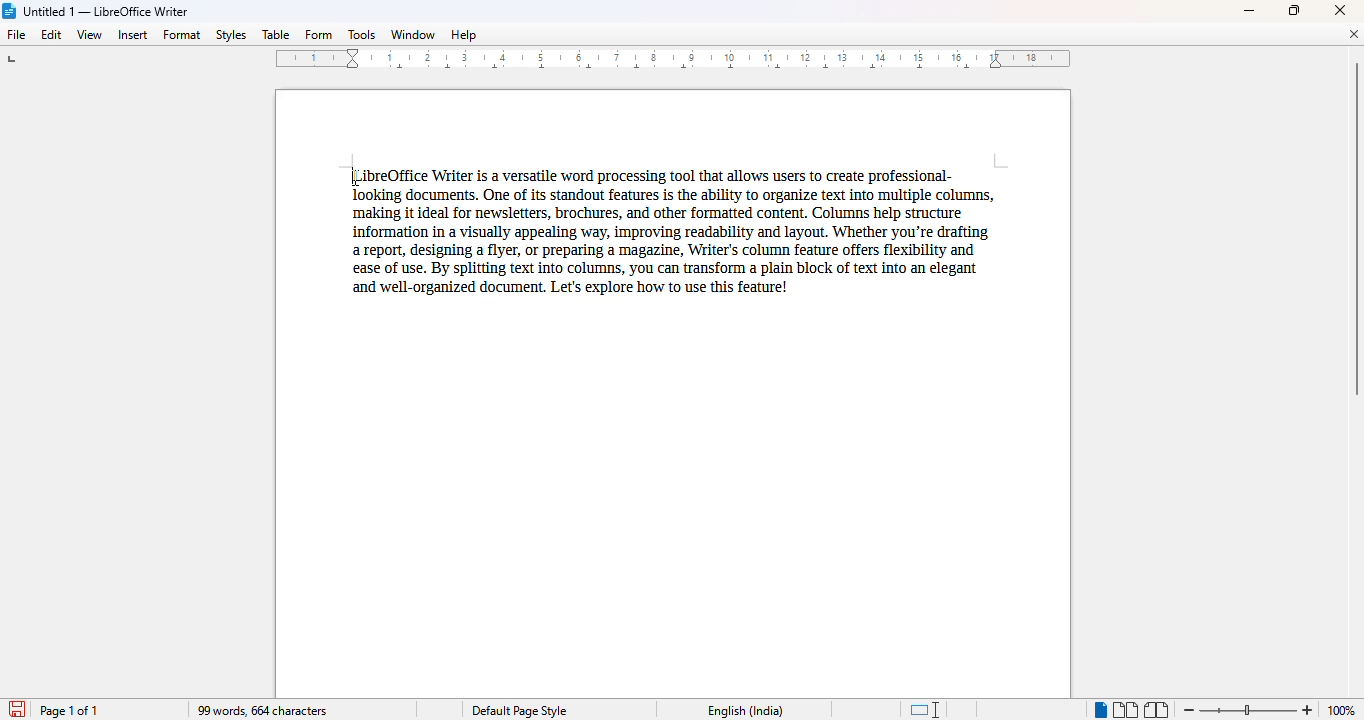 Image resolution: width=1364 pixels, height=720 pixels. What do you see at coordinates (1100, 711) in the screenshot?
I see `single-page view` at bounding box center [1100, 711].